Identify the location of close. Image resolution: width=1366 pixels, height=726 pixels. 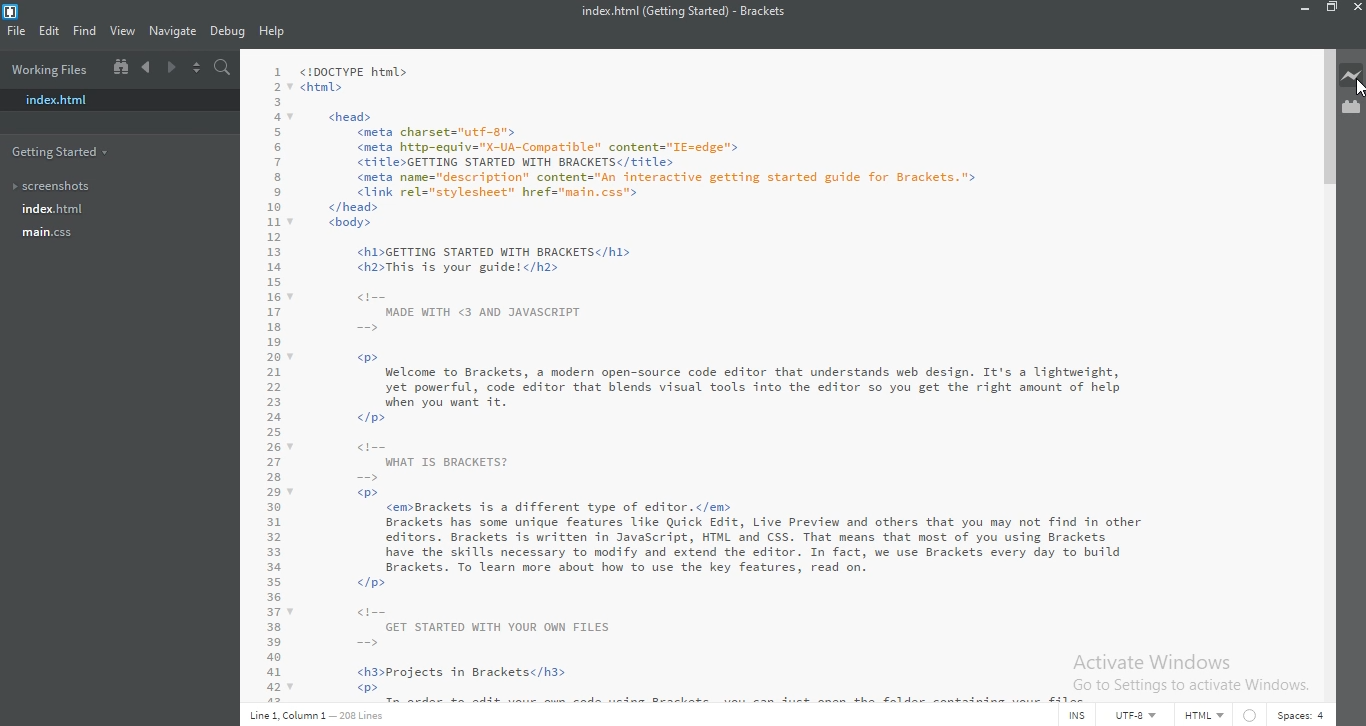
(1354, 11).